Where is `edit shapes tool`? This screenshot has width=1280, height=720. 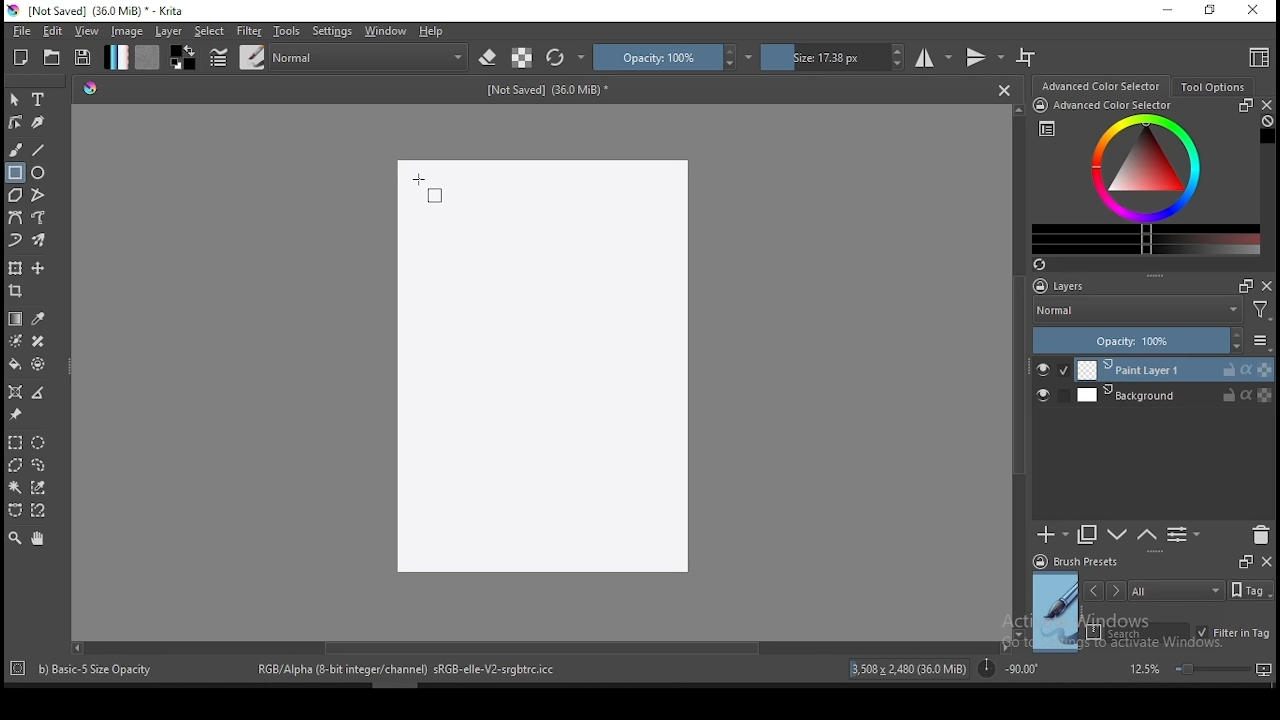 edit shapes tool is located at coordinates (15, 121).